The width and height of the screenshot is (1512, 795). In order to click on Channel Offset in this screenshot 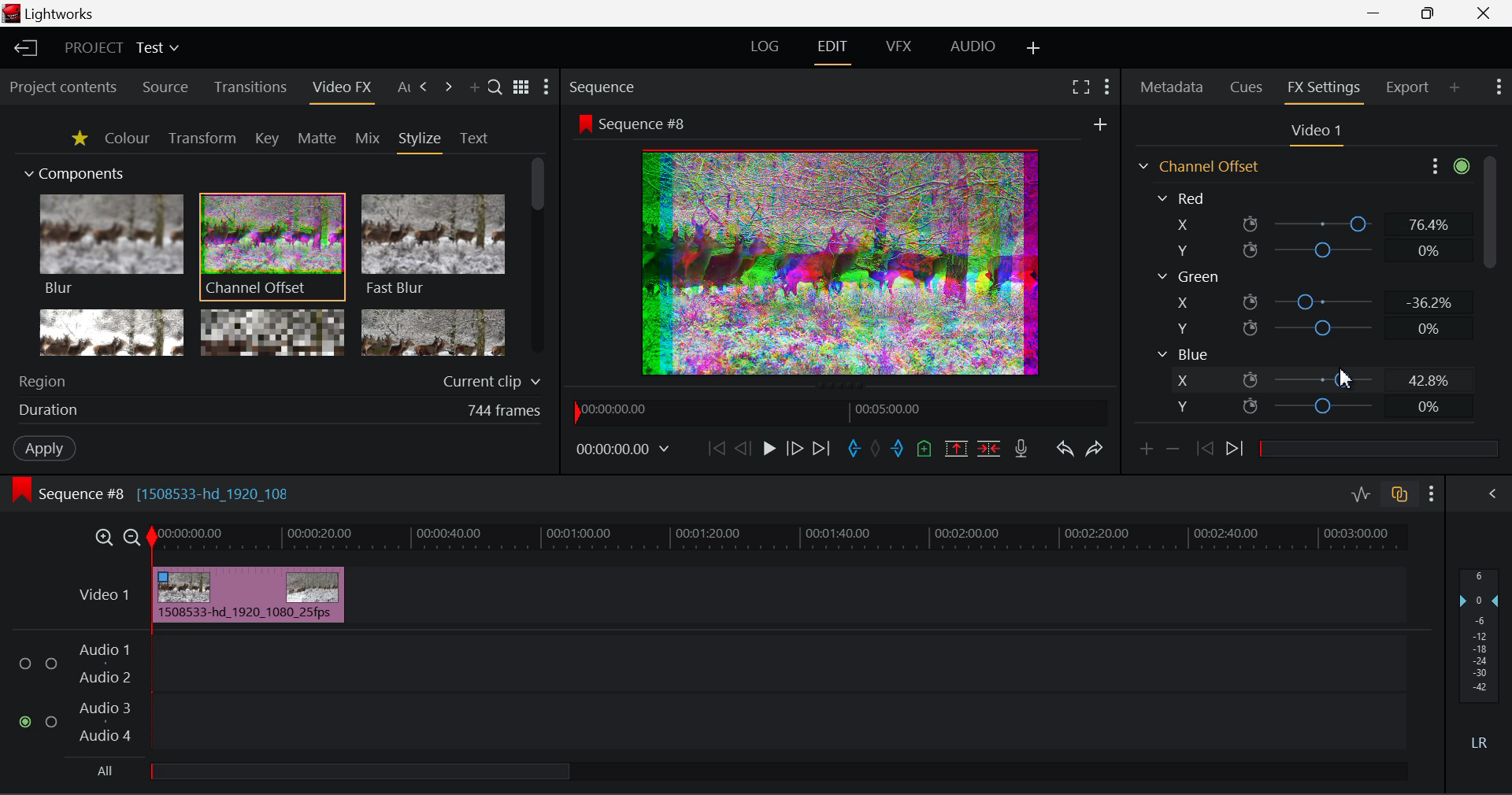, I will do `click(272, 248)`.